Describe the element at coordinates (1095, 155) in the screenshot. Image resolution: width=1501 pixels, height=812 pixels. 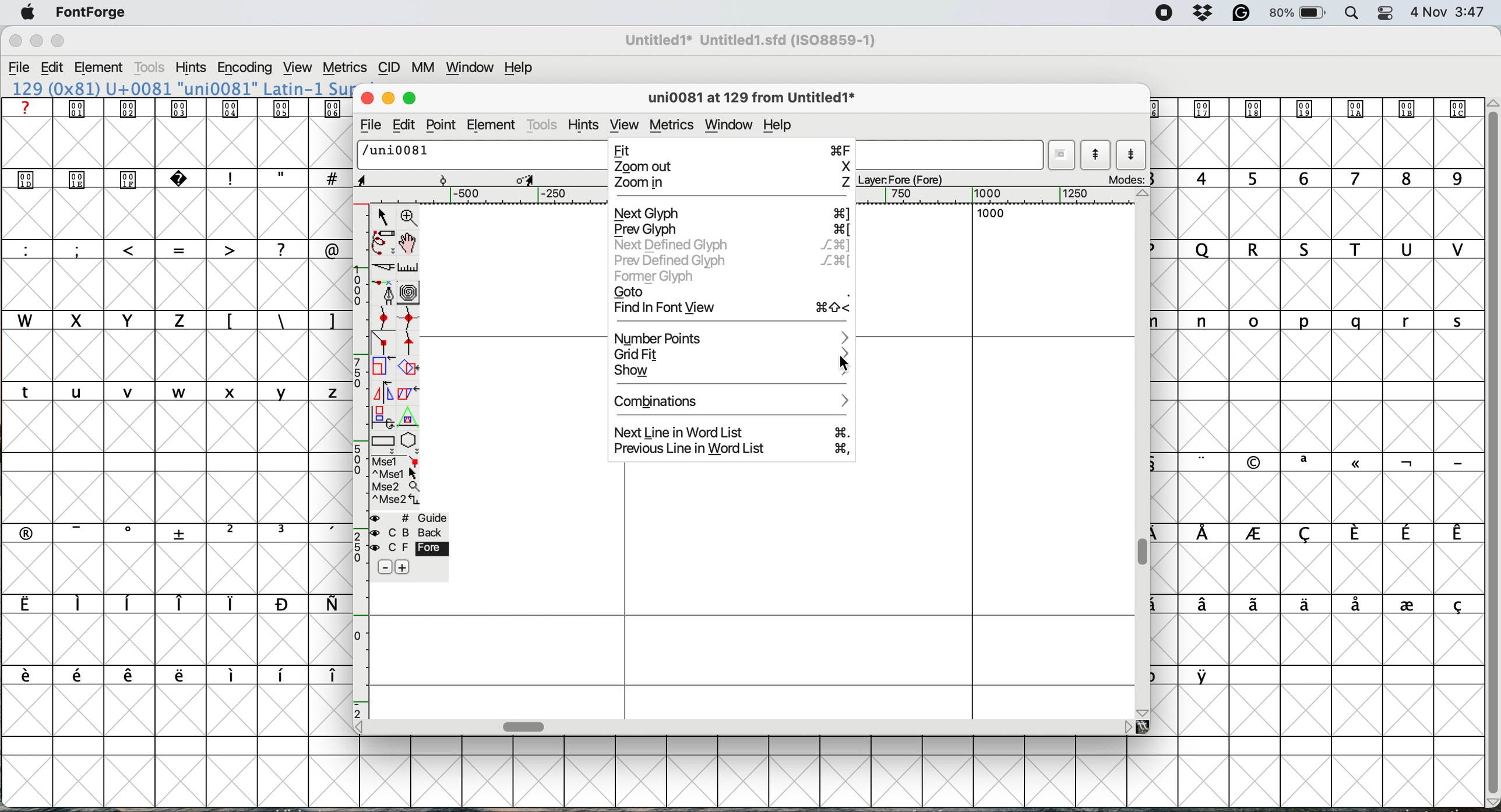
I see `show previous letter` at that location.